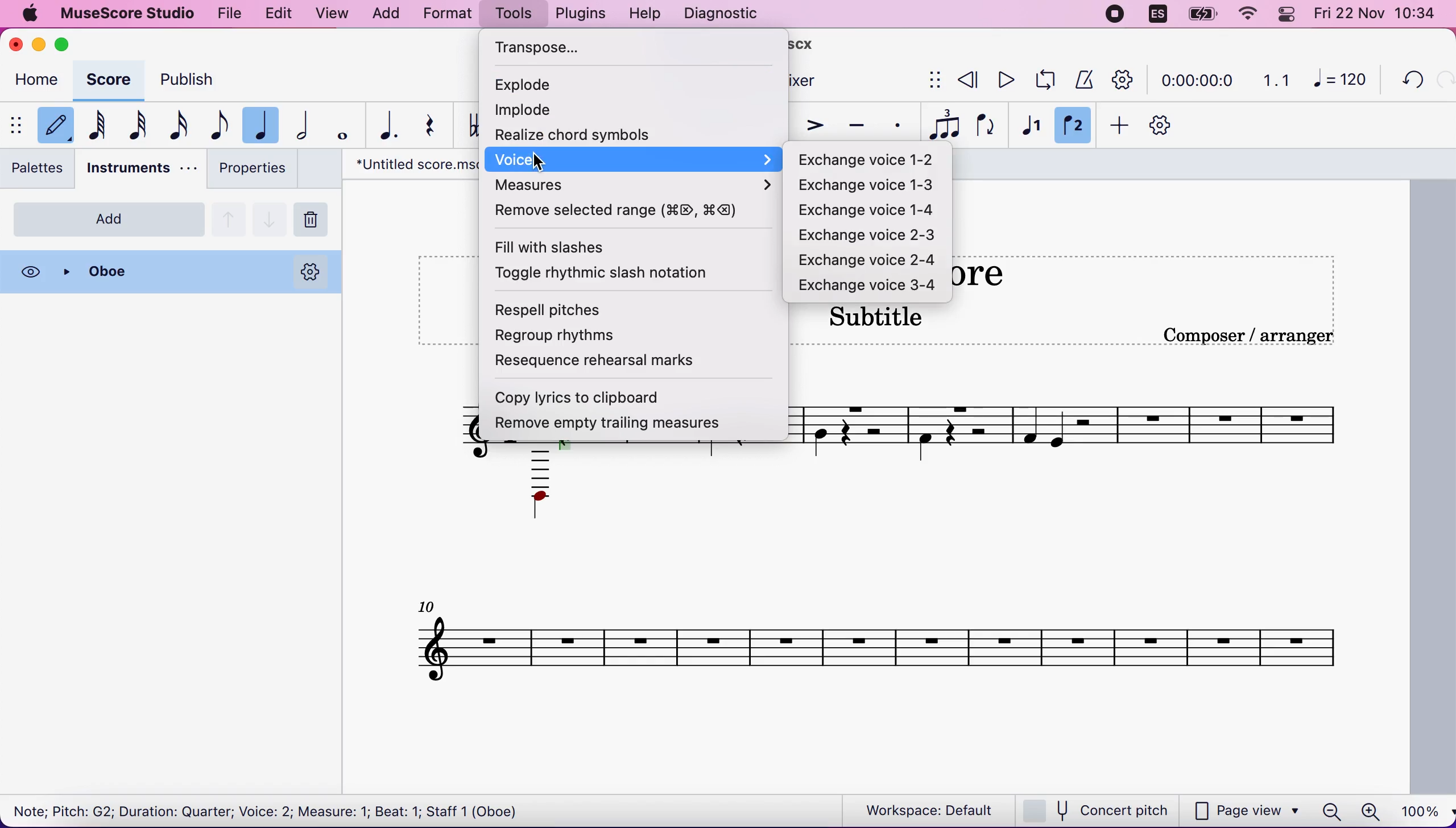 The width and height of the screenshot is (1456, 828). I want to click on 100%, so click(1421, 810).